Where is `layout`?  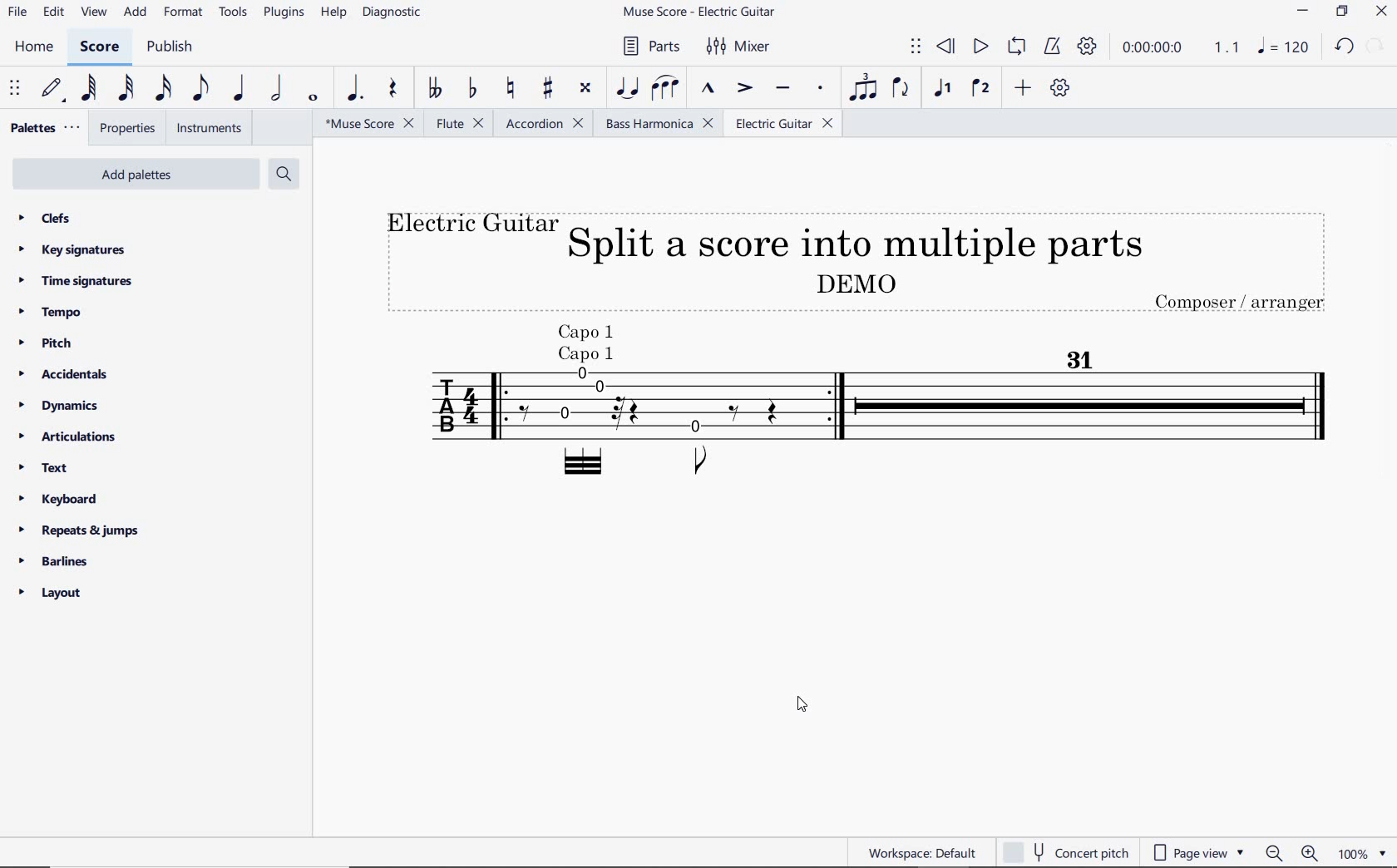 layout is located at coordinates (52, 593).